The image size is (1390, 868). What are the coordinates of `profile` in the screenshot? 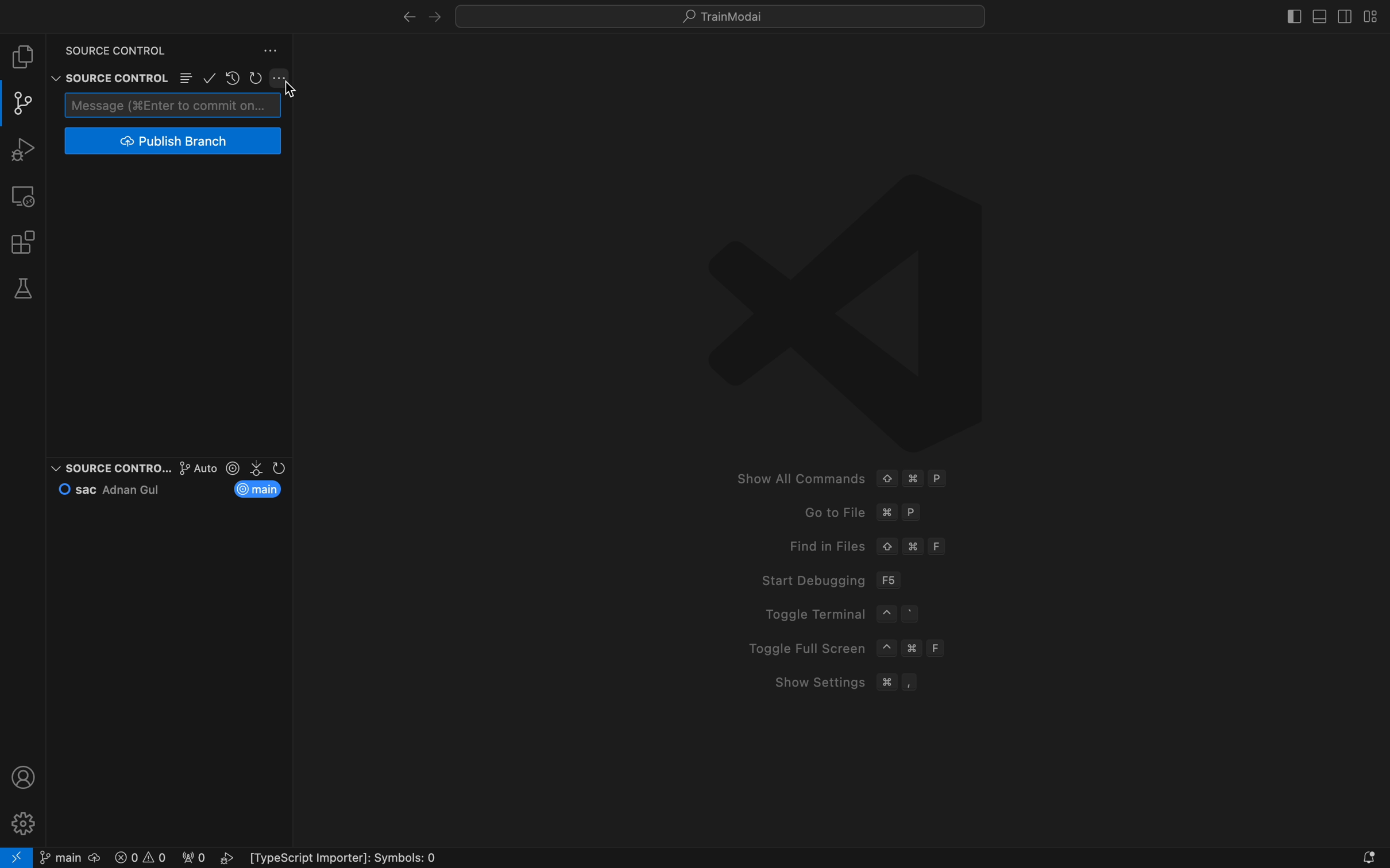 It's located at (25, 777).